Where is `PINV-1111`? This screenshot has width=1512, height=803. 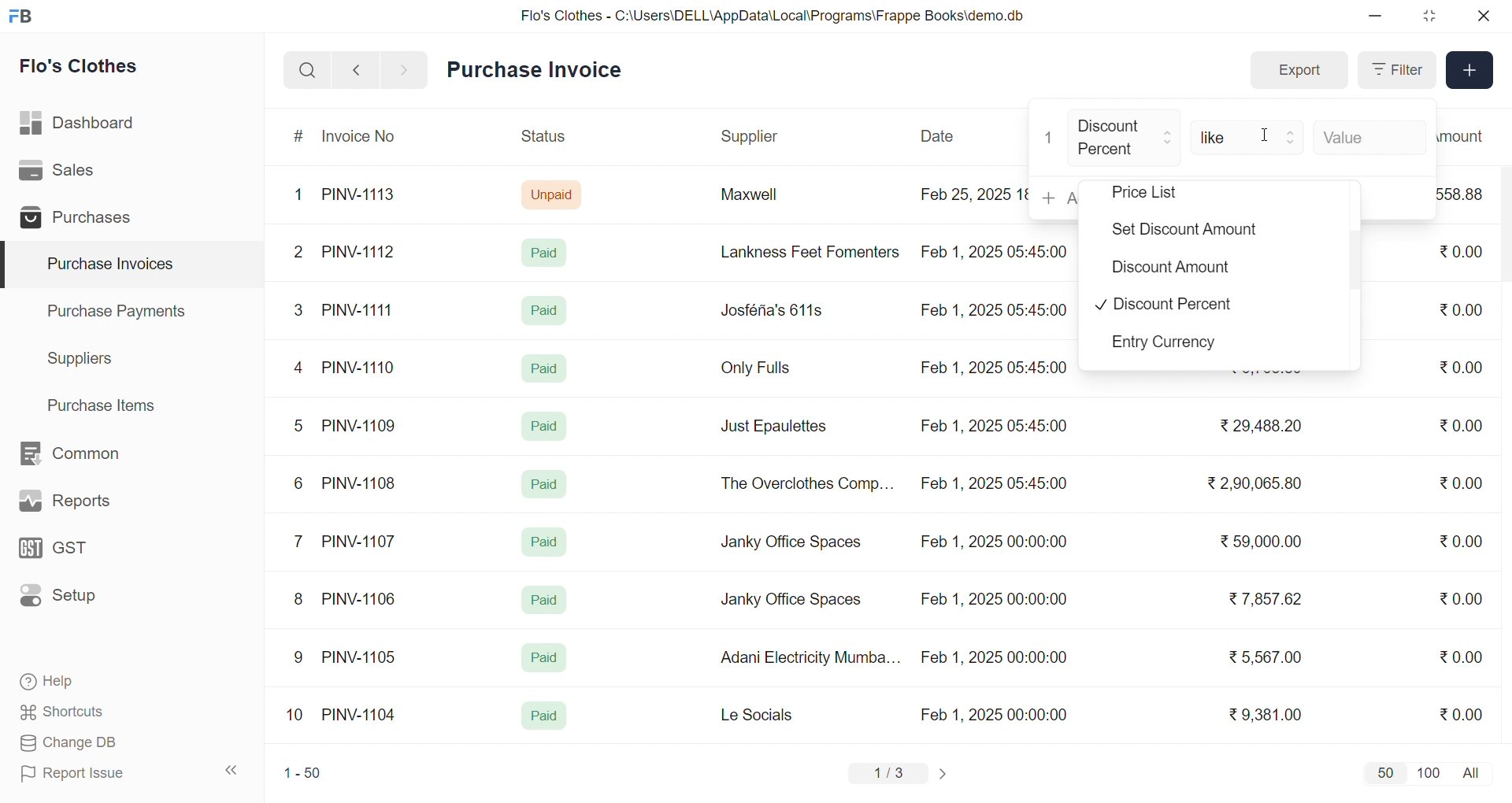 PINV-1111 is located at coordinates (359, 309).